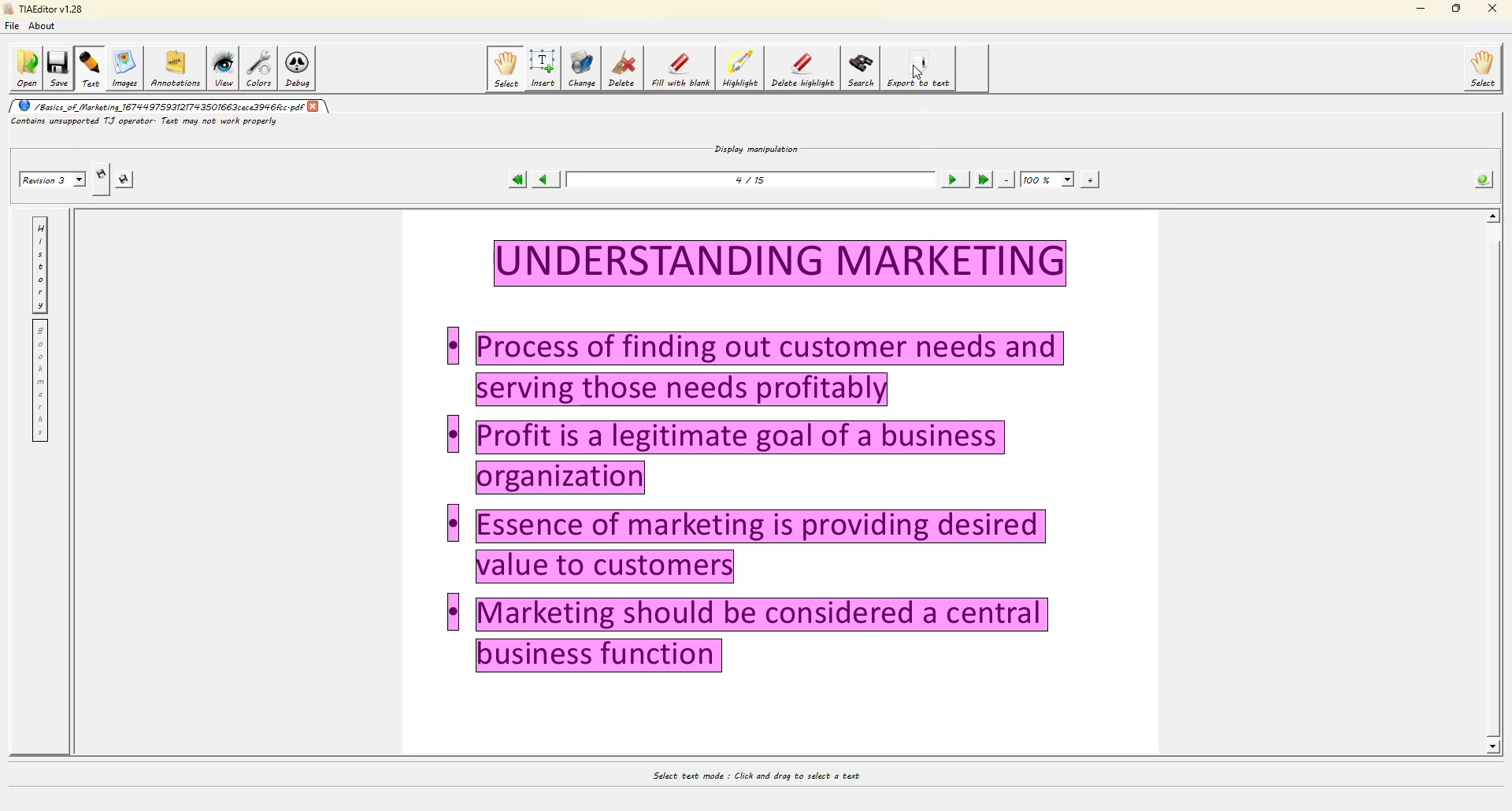 This screenshot has height=811, width=1512. I want to click on search, so click(862, 69).